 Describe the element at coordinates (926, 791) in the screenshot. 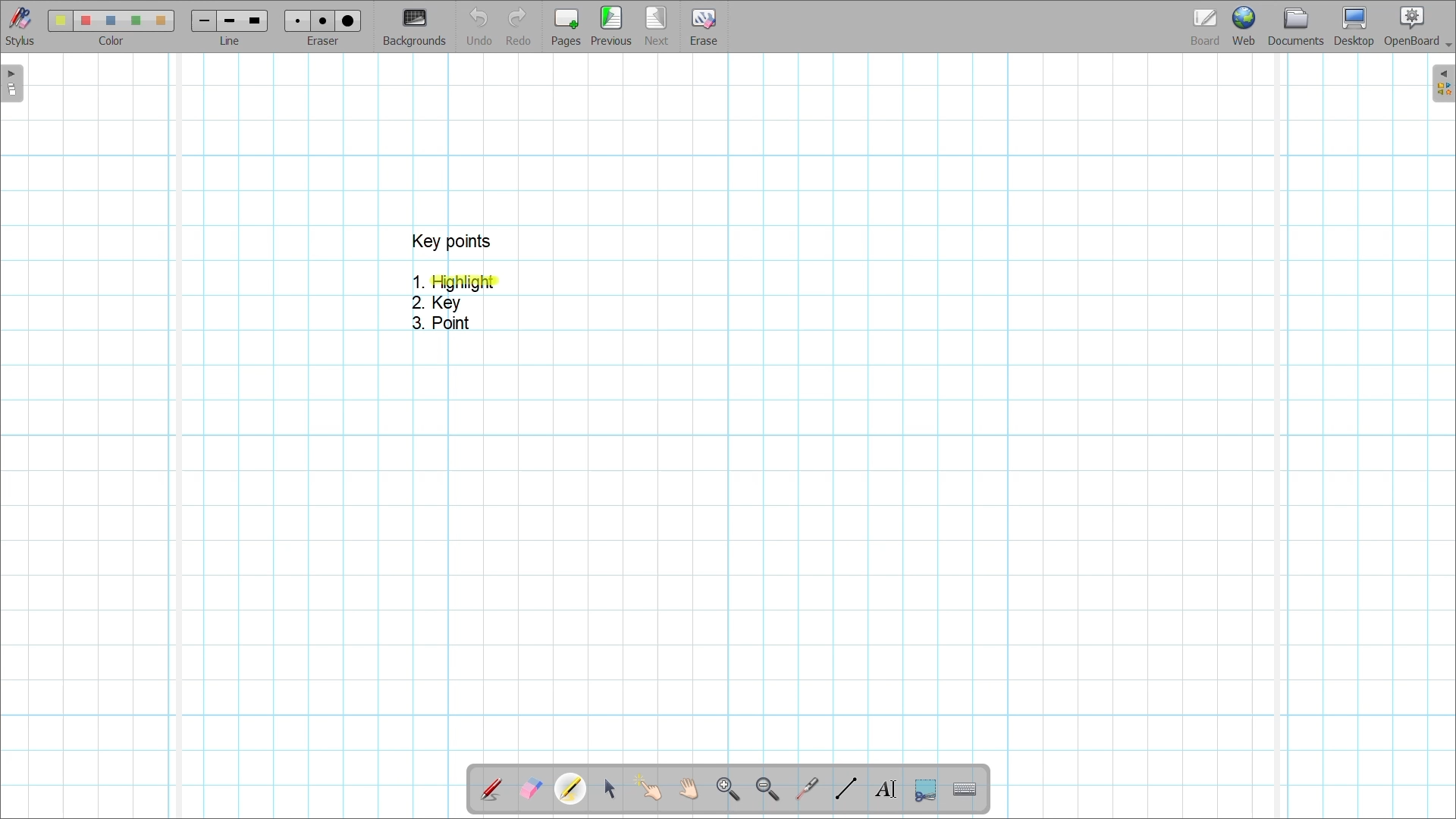

I see `Capture part of the screen` at that location.